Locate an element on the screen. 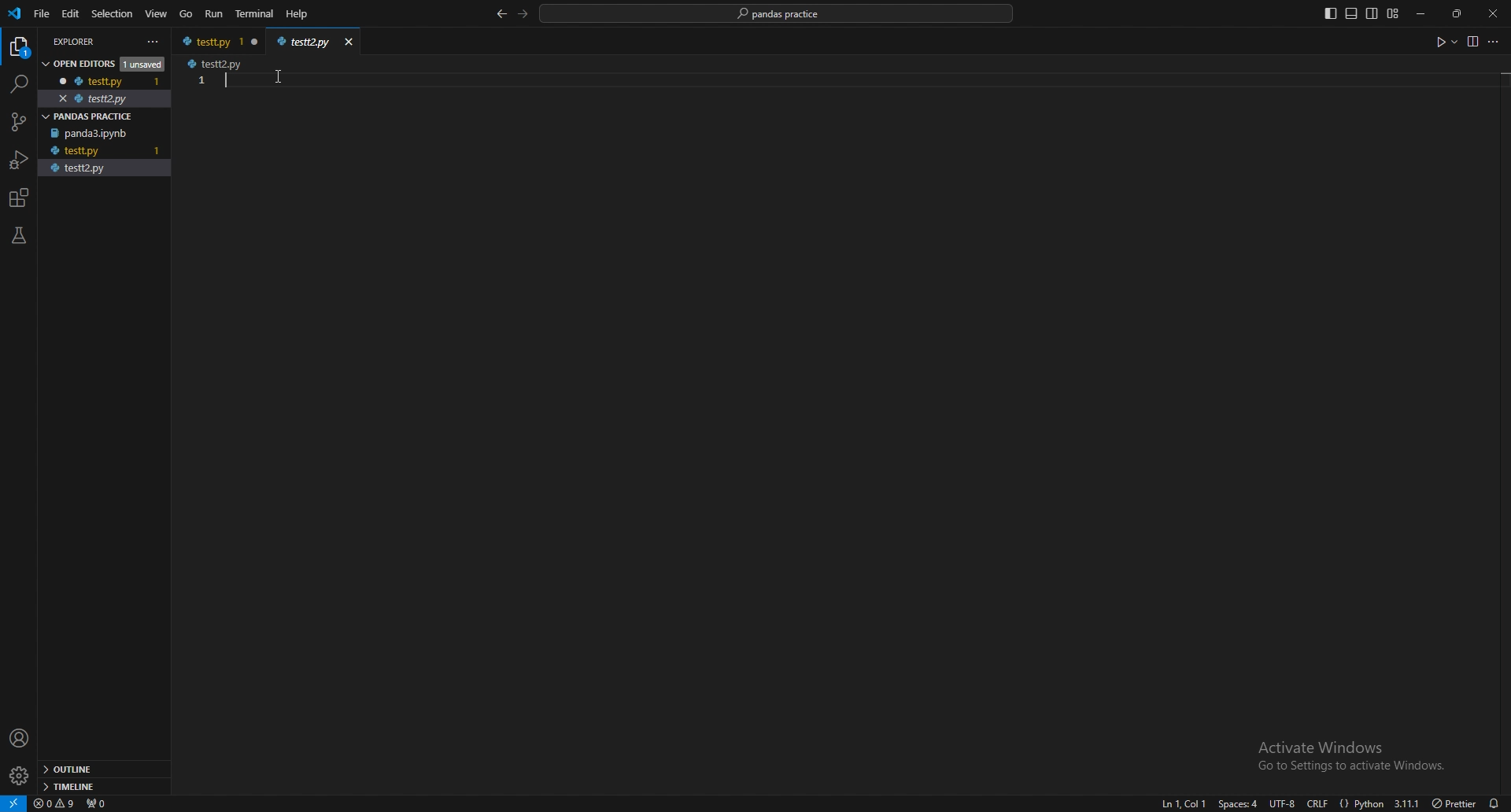 The width and height of the screenshot is (1511, 812). {} Python 3.11.1 is located at coordinates (1380, 800).